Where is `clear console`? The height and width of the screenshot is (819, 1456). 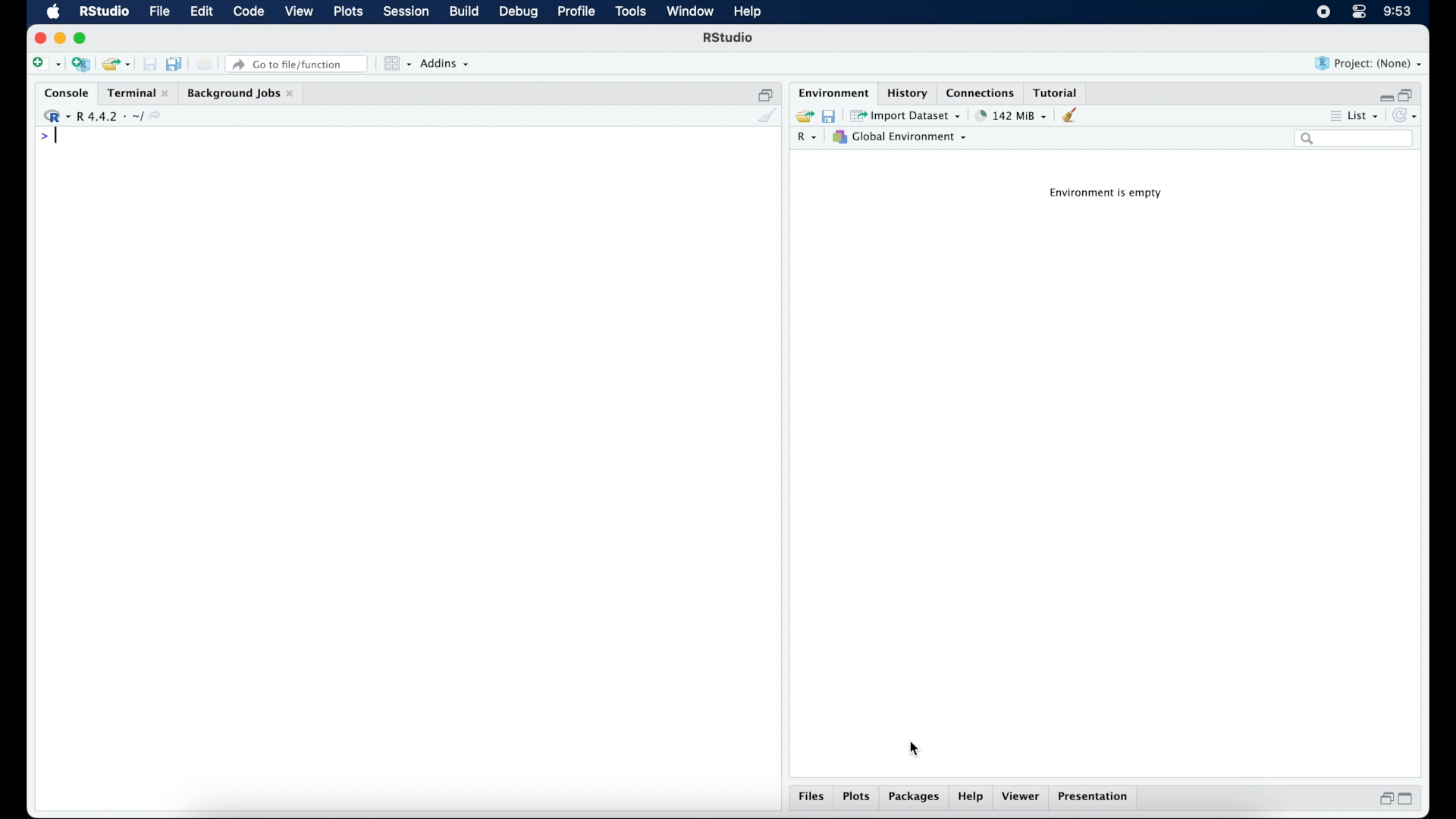
clear console is located at coordinates (768, 116).